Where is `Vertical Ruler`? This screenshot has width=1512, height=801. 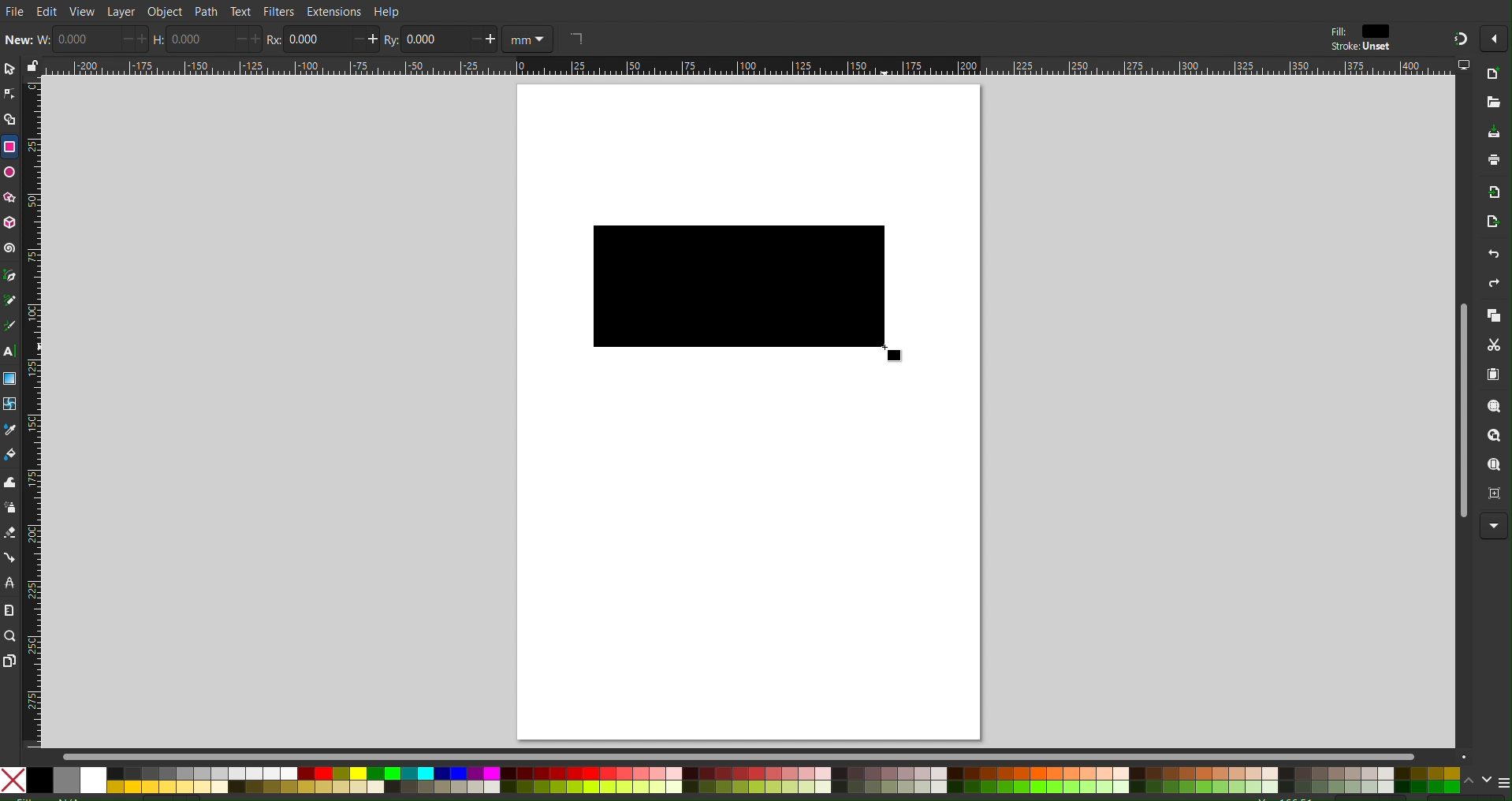
Vertical Ruler is located at coordinates (32, 412).